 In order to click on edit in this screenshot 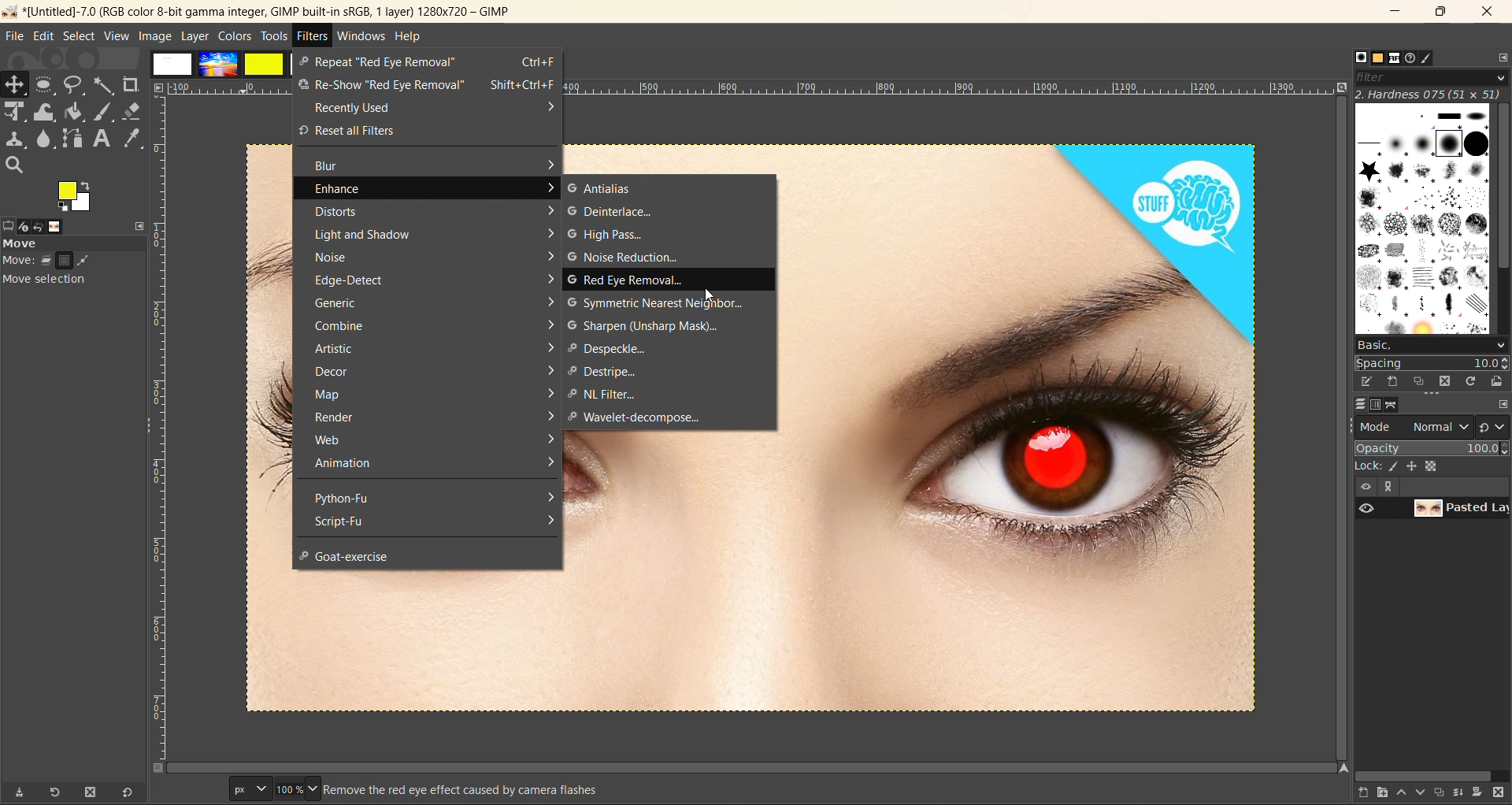, I will do `click(41, 36)`.